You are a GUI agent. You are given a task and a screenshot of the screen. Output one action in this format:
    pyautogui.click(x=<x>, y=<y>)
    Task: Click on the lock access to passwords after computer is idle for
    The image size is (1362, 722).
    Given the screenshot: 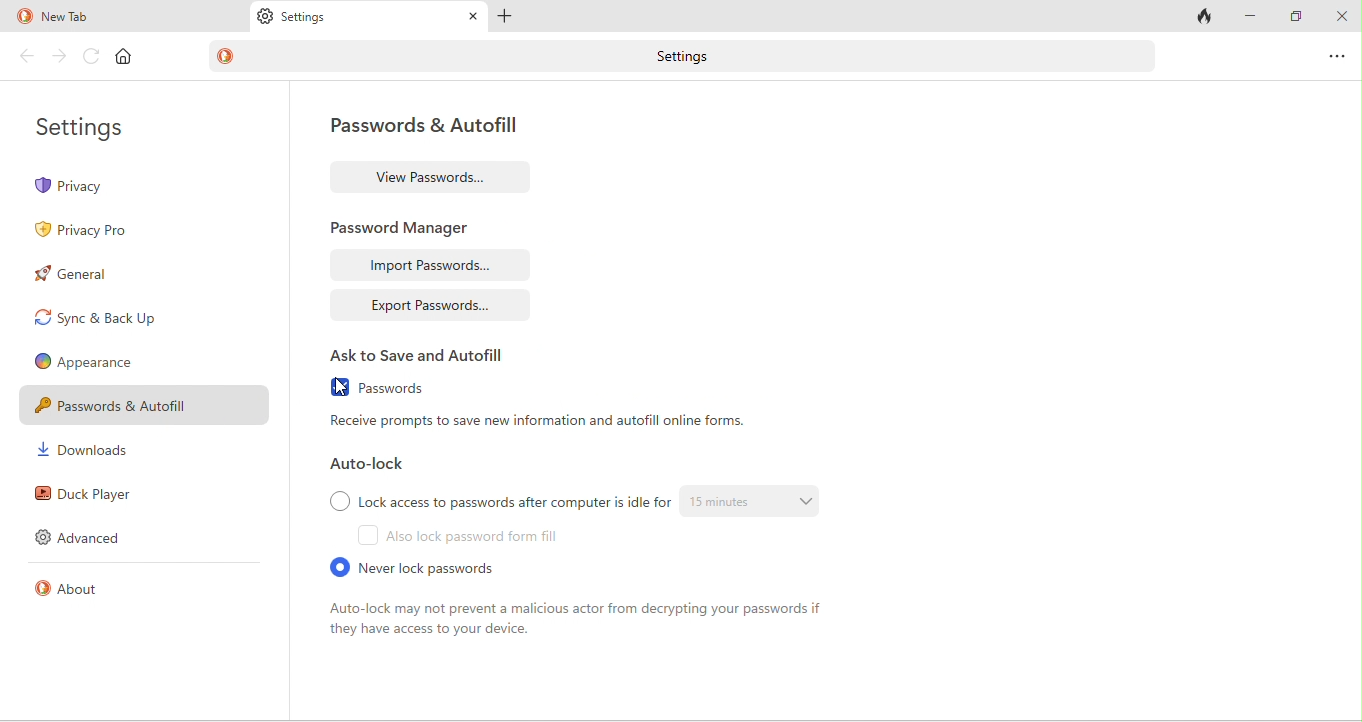 What is the action you would take?
    pyautogui.click(x=496, y=501)
    